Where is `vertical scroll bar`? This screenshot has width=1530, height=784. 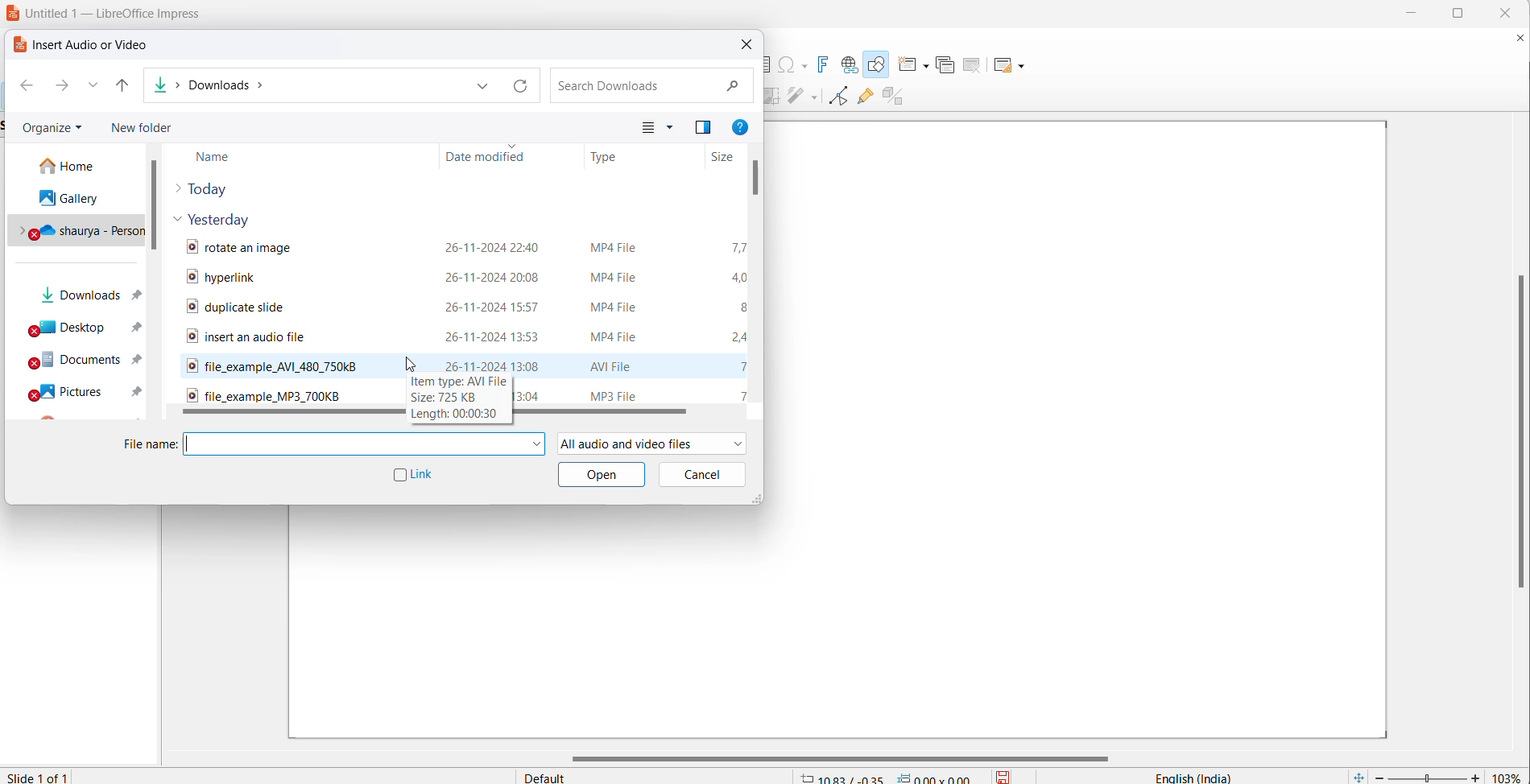 vertical scroll bar is located at coordinates (1520, 435).